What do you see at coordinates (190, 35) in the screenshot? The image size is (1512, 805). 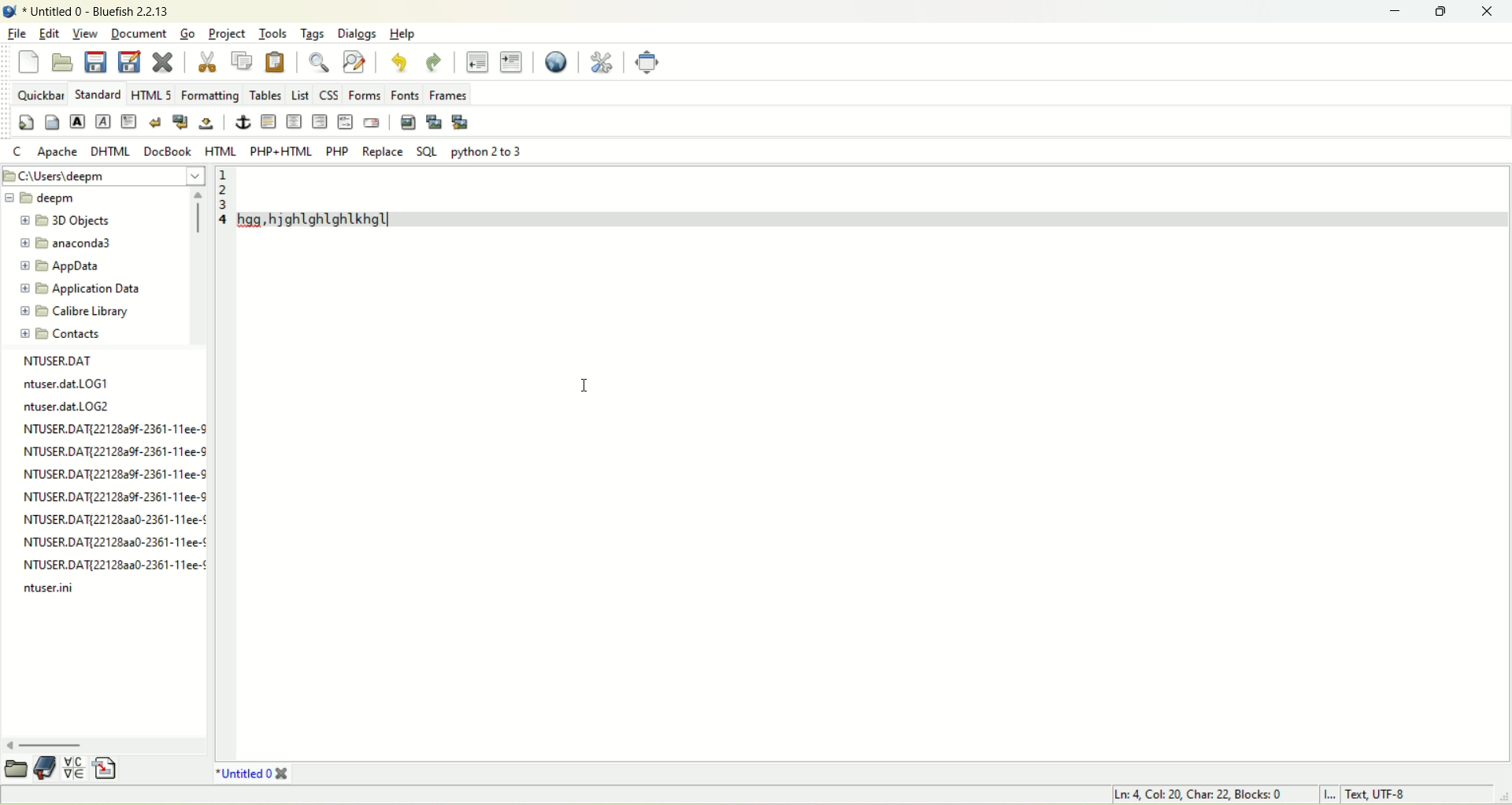 I see `go` at bounding box center [190, 35].